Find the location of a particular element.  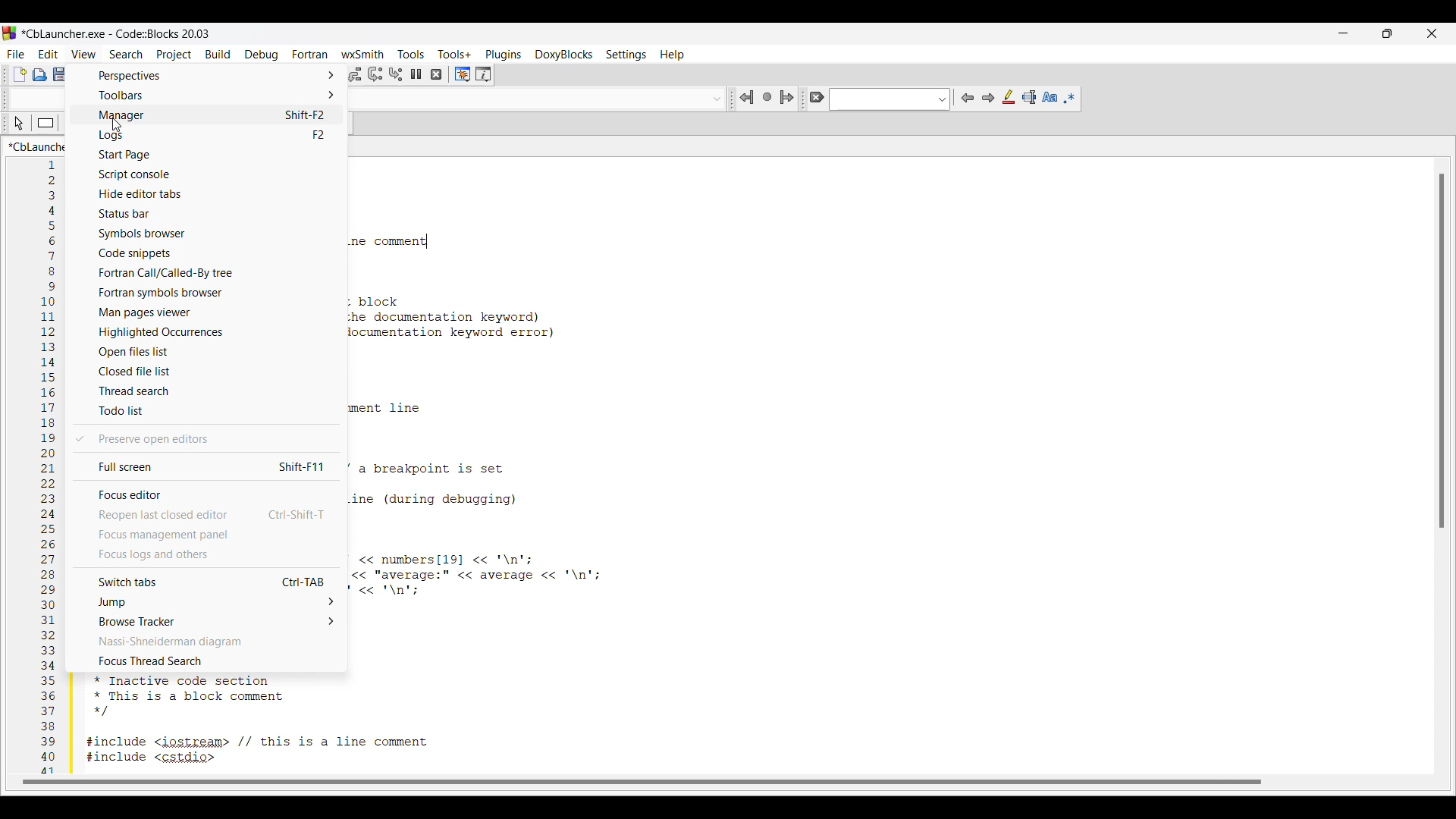

Focus logs and others is located at coordinates (205, 554).